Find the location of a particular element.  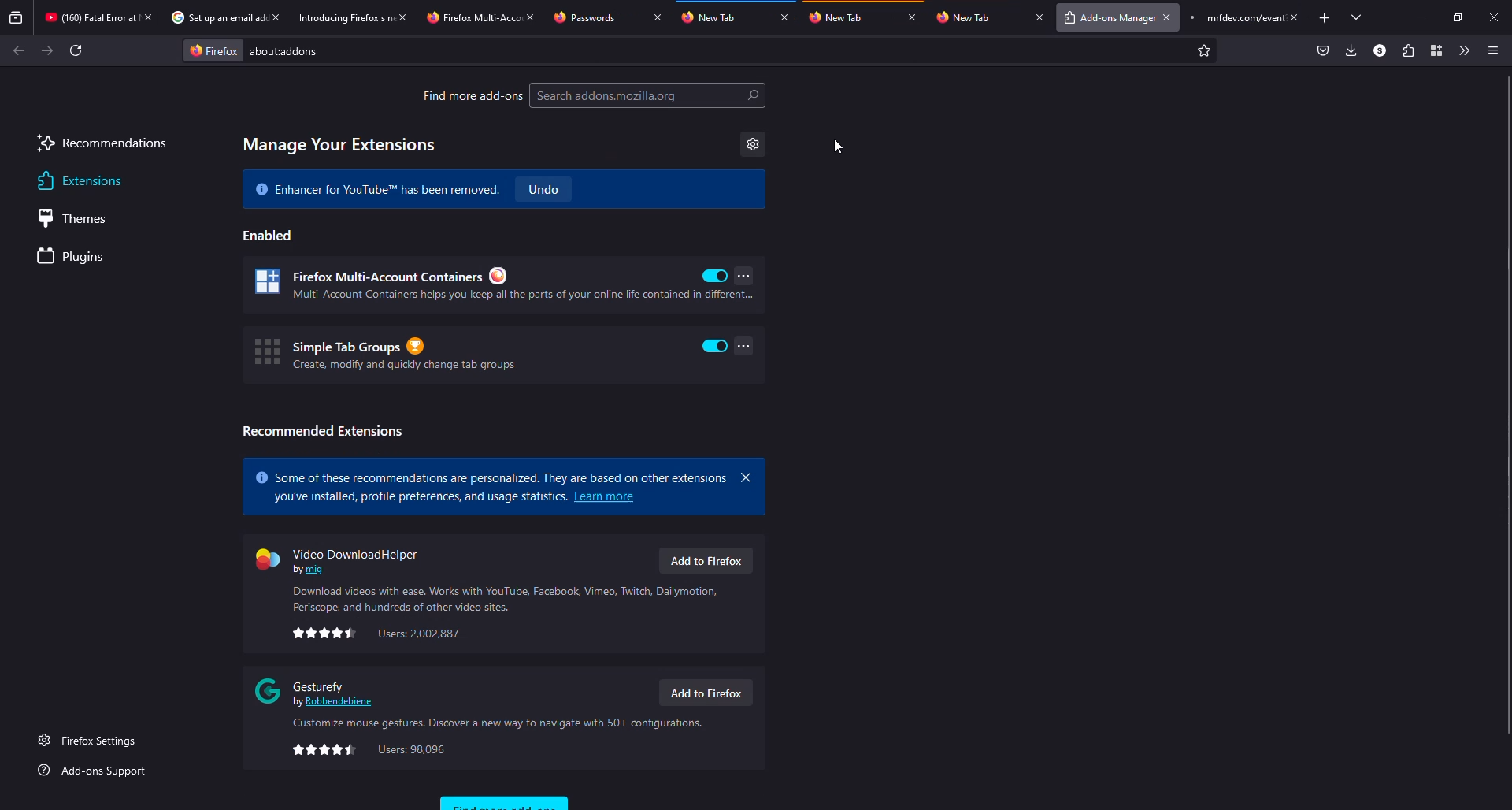

Close is located at coordinates (275, 17).